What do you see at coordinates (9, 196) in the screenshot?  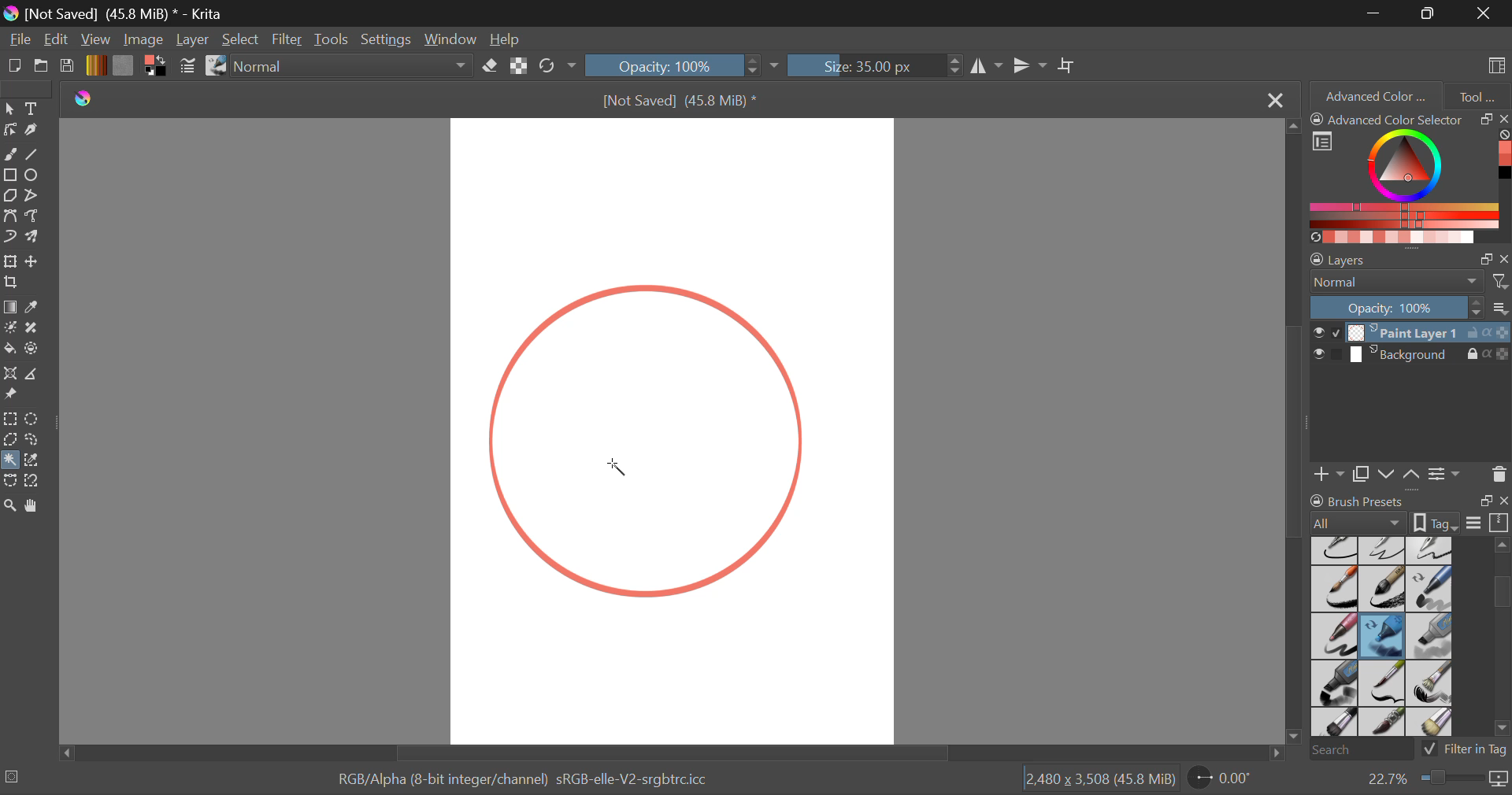 I see `Polygon Tool` at bounding box center [9, 196].